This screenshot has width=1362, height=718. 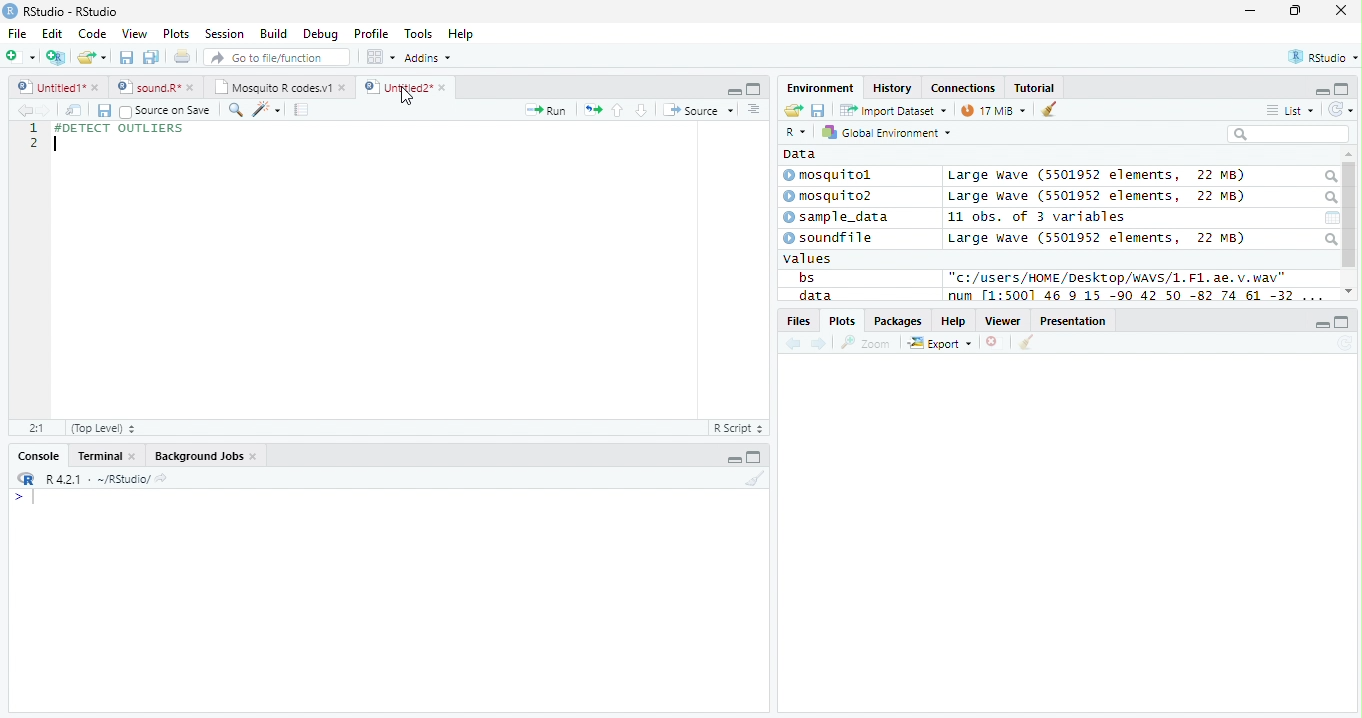 I want to click on Terminal, so click(x=104, y=456).